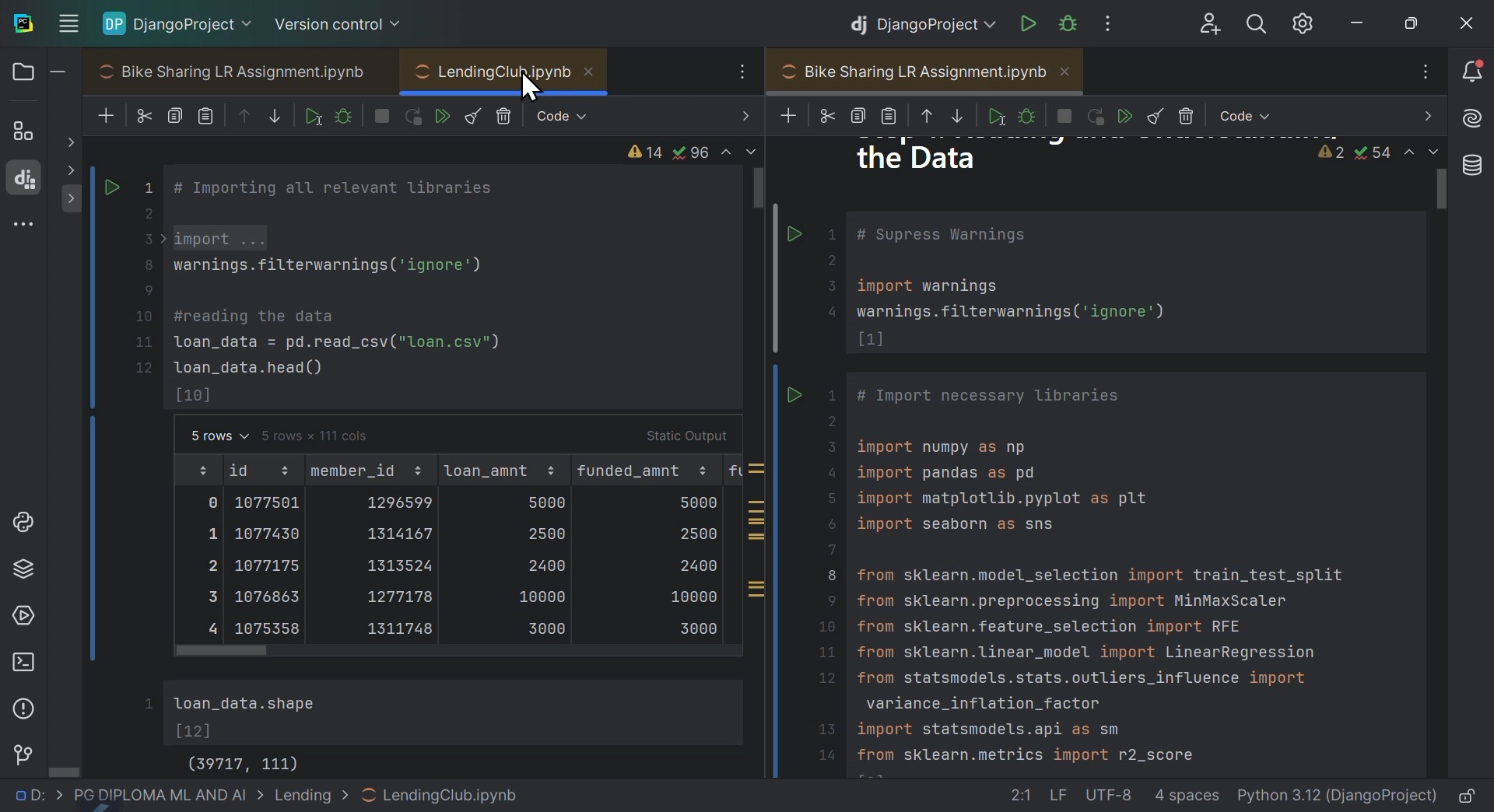 This screenshot has height=812, width=1494. Describe the element at coordinates (1428, 116) in the screenshot. I see `next` at that location.